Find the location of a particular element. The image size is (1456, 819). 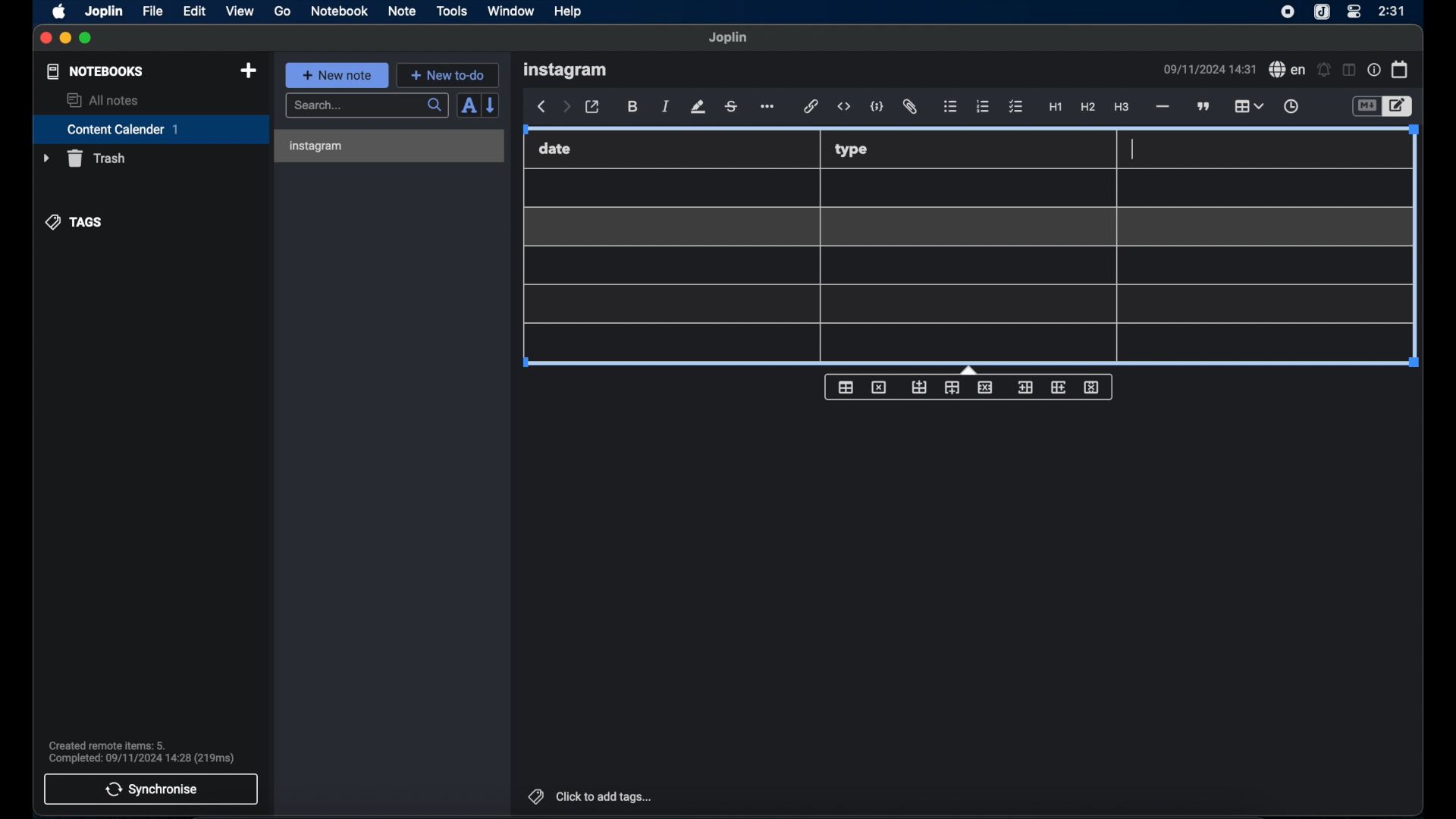

new note is located at coordinates (337, 75).